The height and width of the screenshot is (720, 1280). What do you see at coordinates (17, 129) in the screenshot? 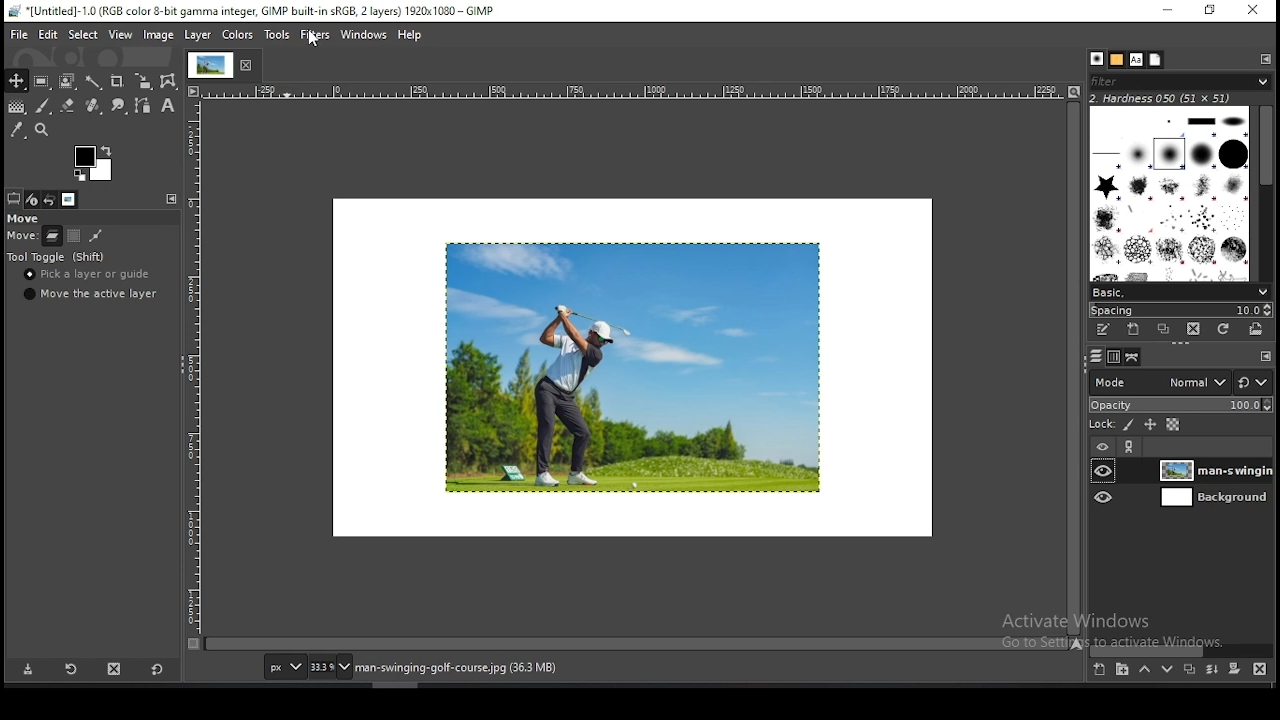
I see `color picker tool` at bounding box center [17, 129].